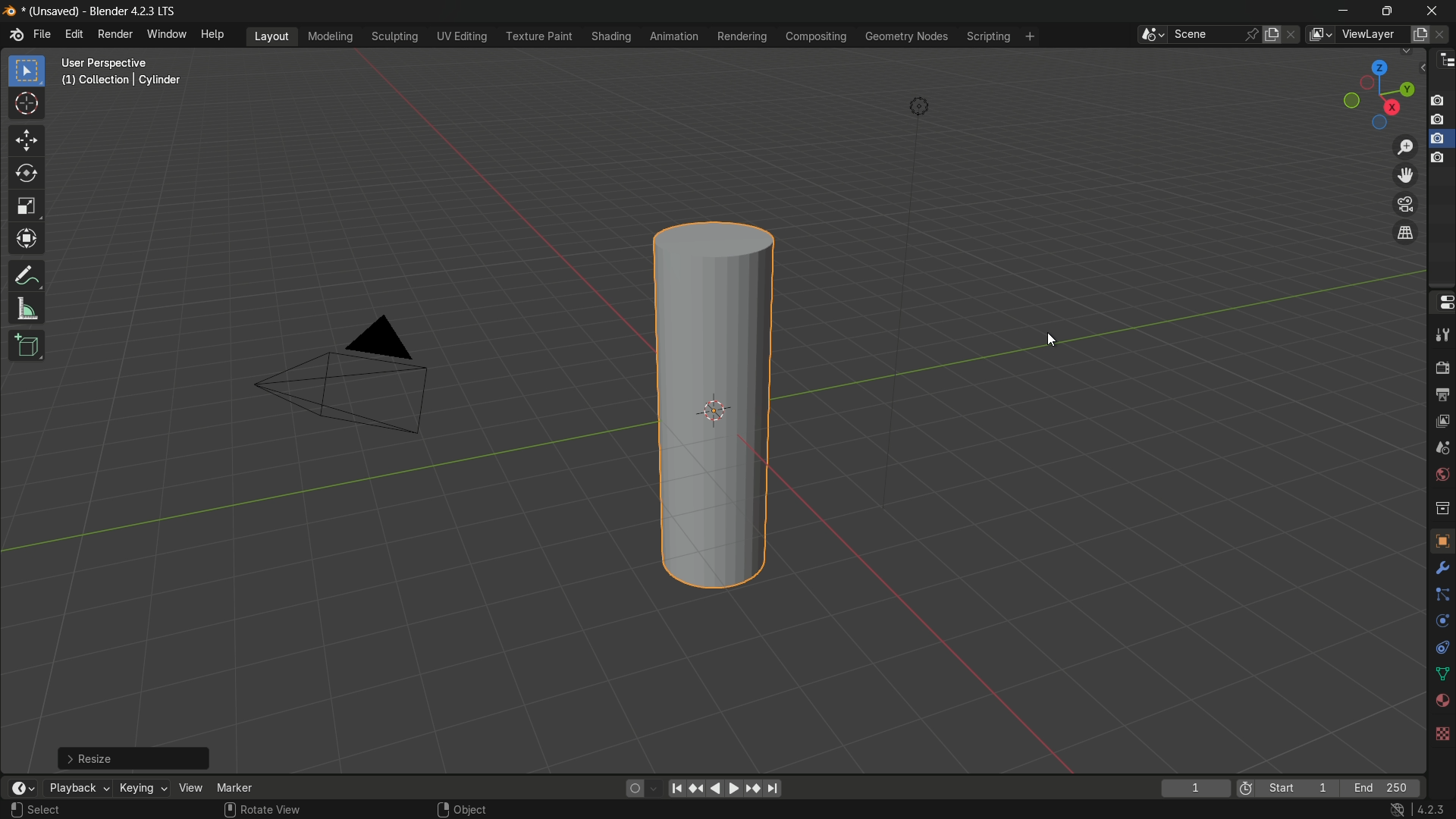 The width and height of the screenshot is (1456, 819). Describe the element at coordinates (27, 175) in the screenshot. I see `rotate` at that location.